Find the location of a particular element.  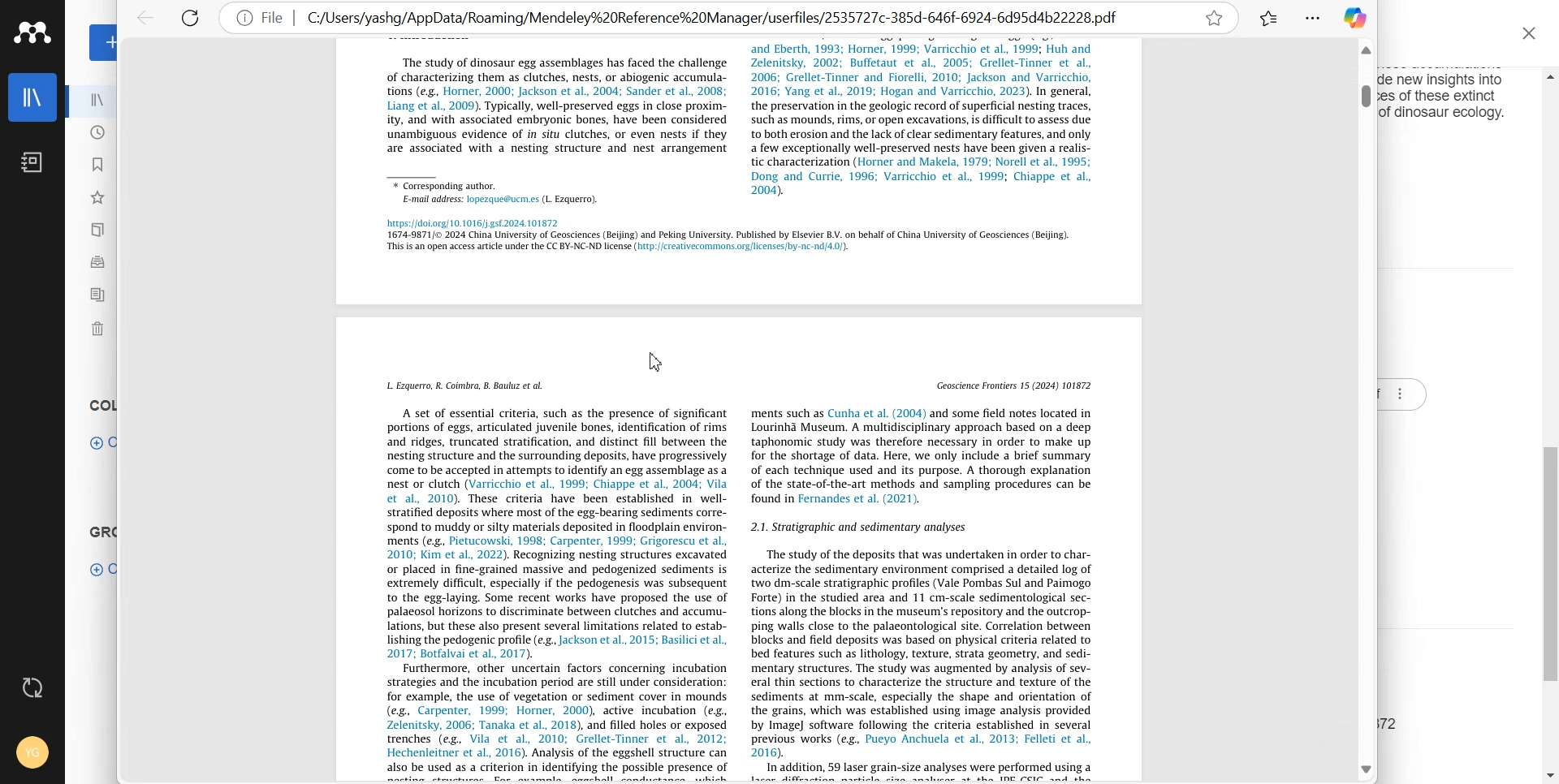

Close is located at coordinates (1532, 34).